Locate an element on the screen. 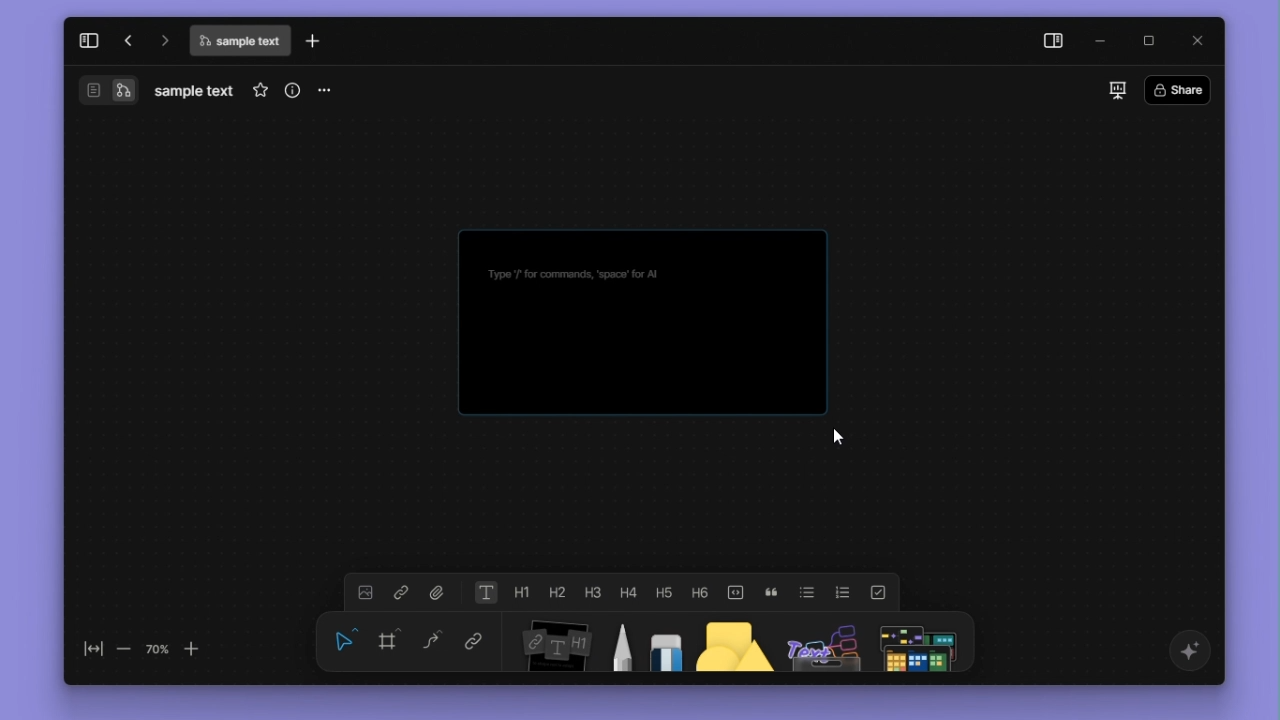  others is located at coordinates (819, 644).